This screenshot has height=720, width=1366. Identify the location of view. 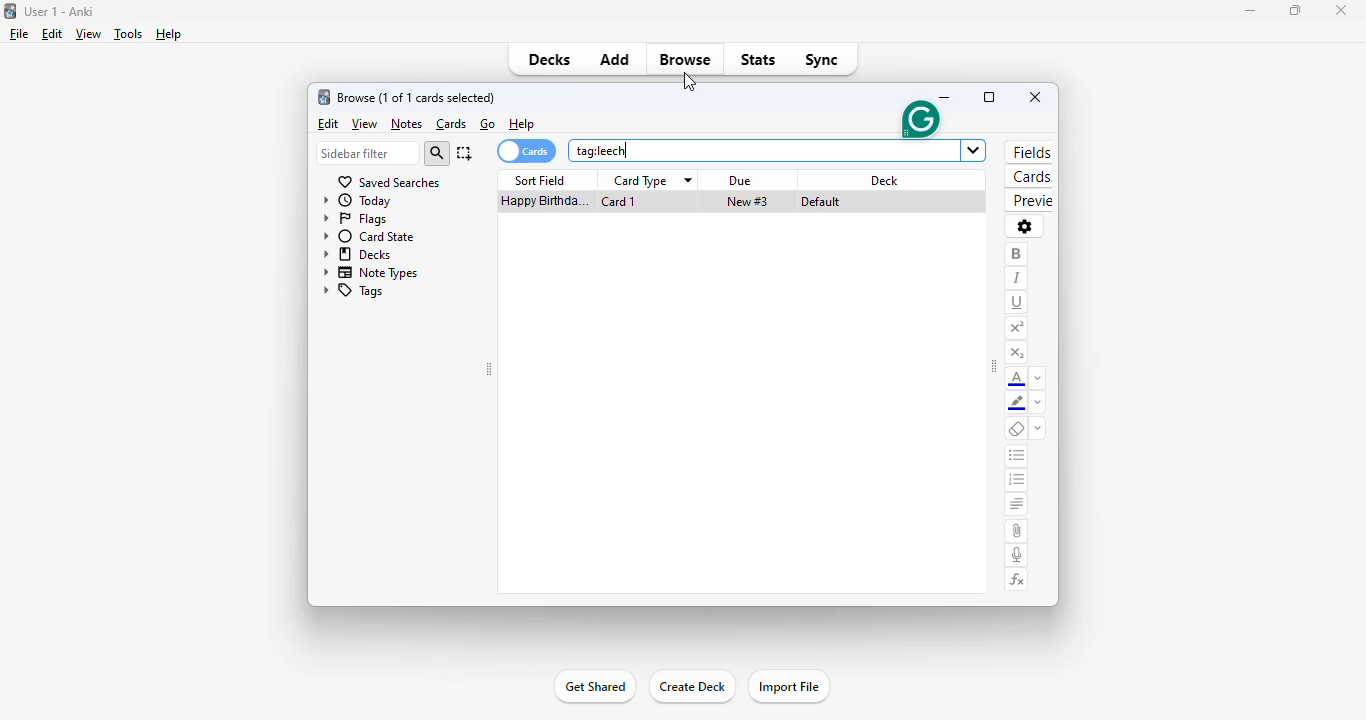
(89, 34).